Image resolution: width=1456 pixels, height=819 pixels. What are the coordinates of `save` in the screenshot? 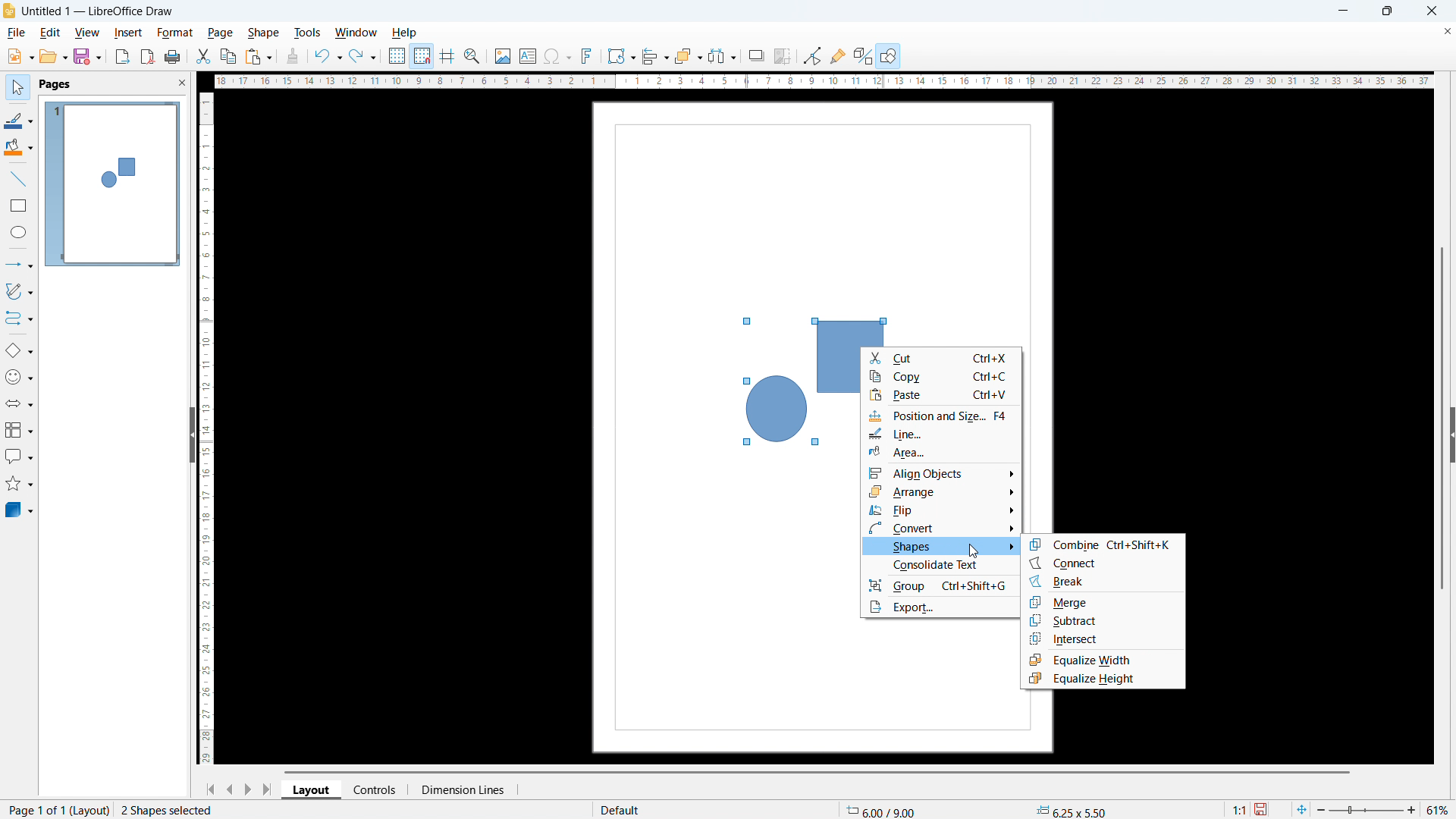 It's located at (88, 57).